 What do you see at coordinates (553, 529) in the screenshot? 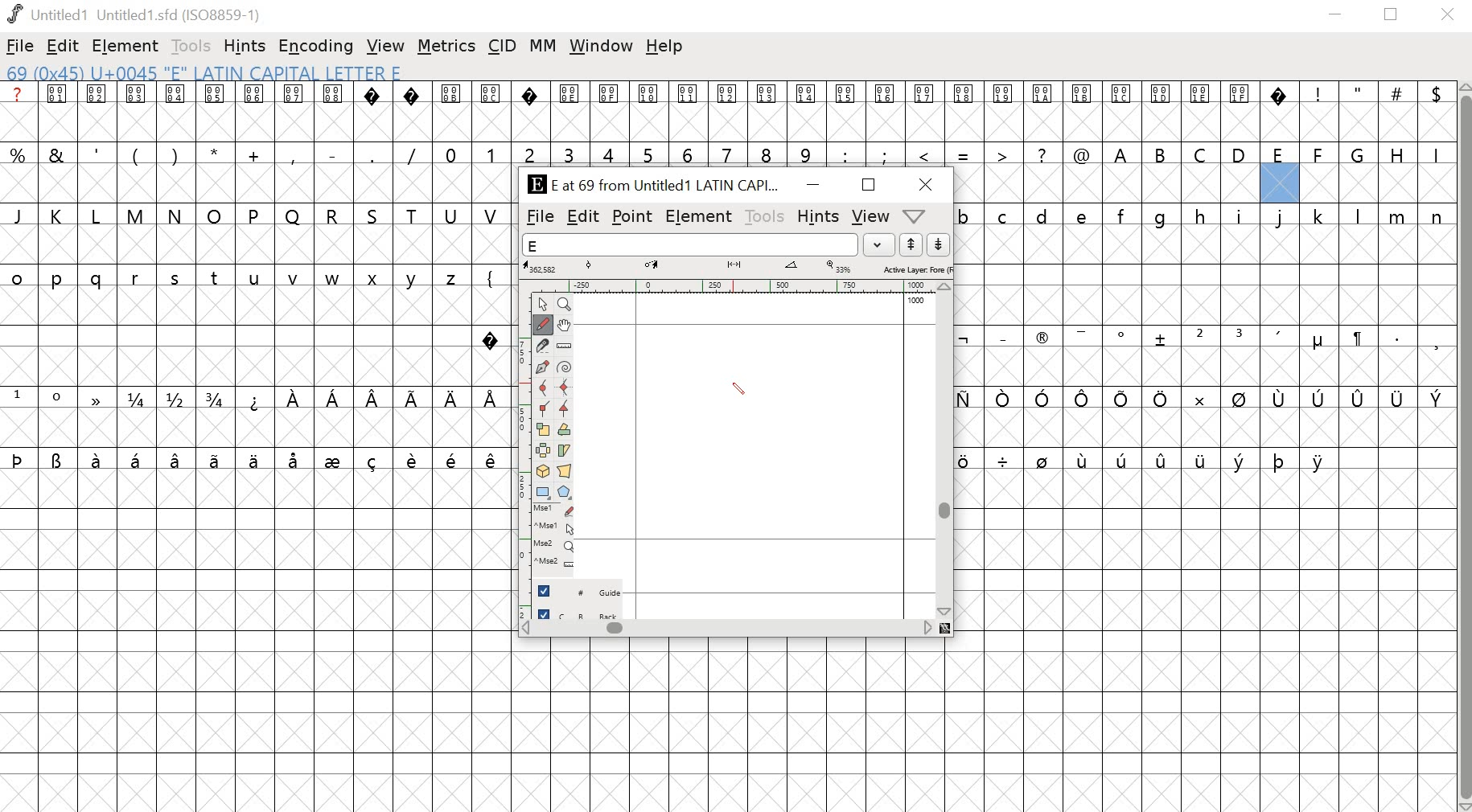
I see `Mouse left button + Ctrl` at bounding box center [553, 529].